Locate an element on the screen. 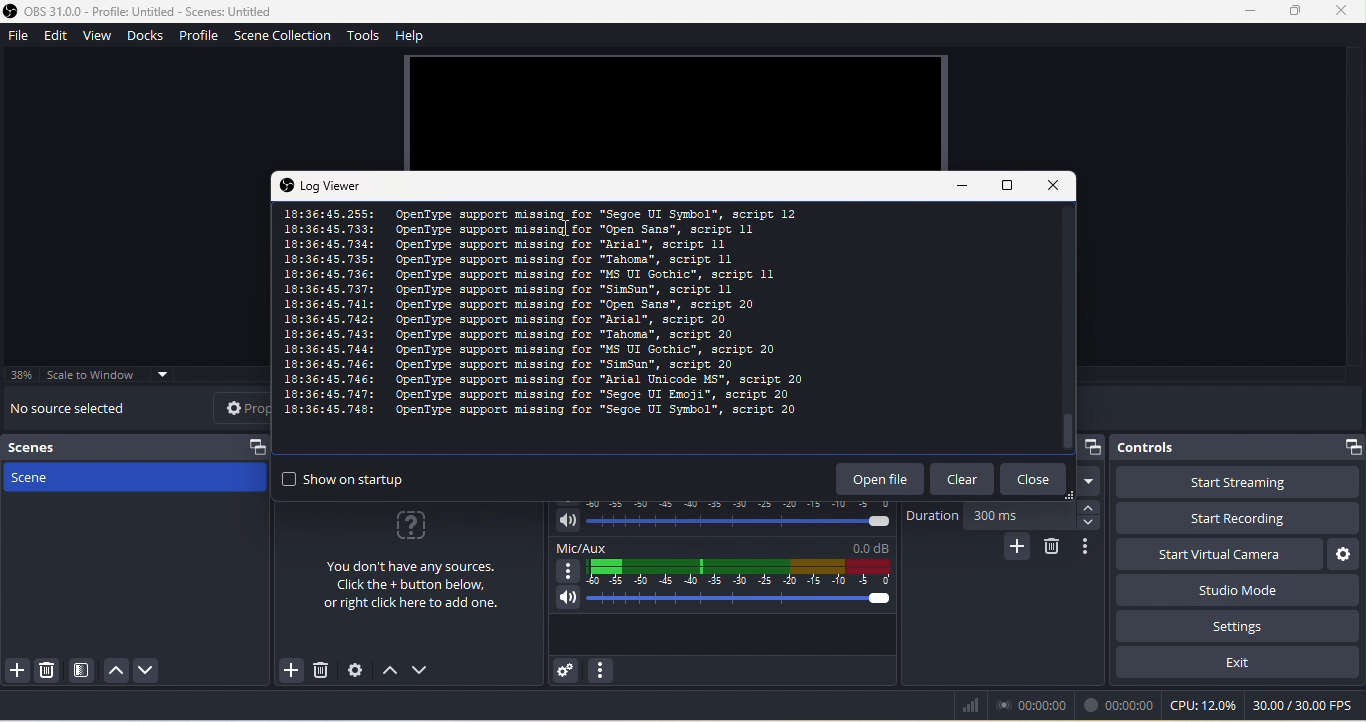 The height and width of the screenshot is (722, 1366). edit is located at coordinates (59, 38).